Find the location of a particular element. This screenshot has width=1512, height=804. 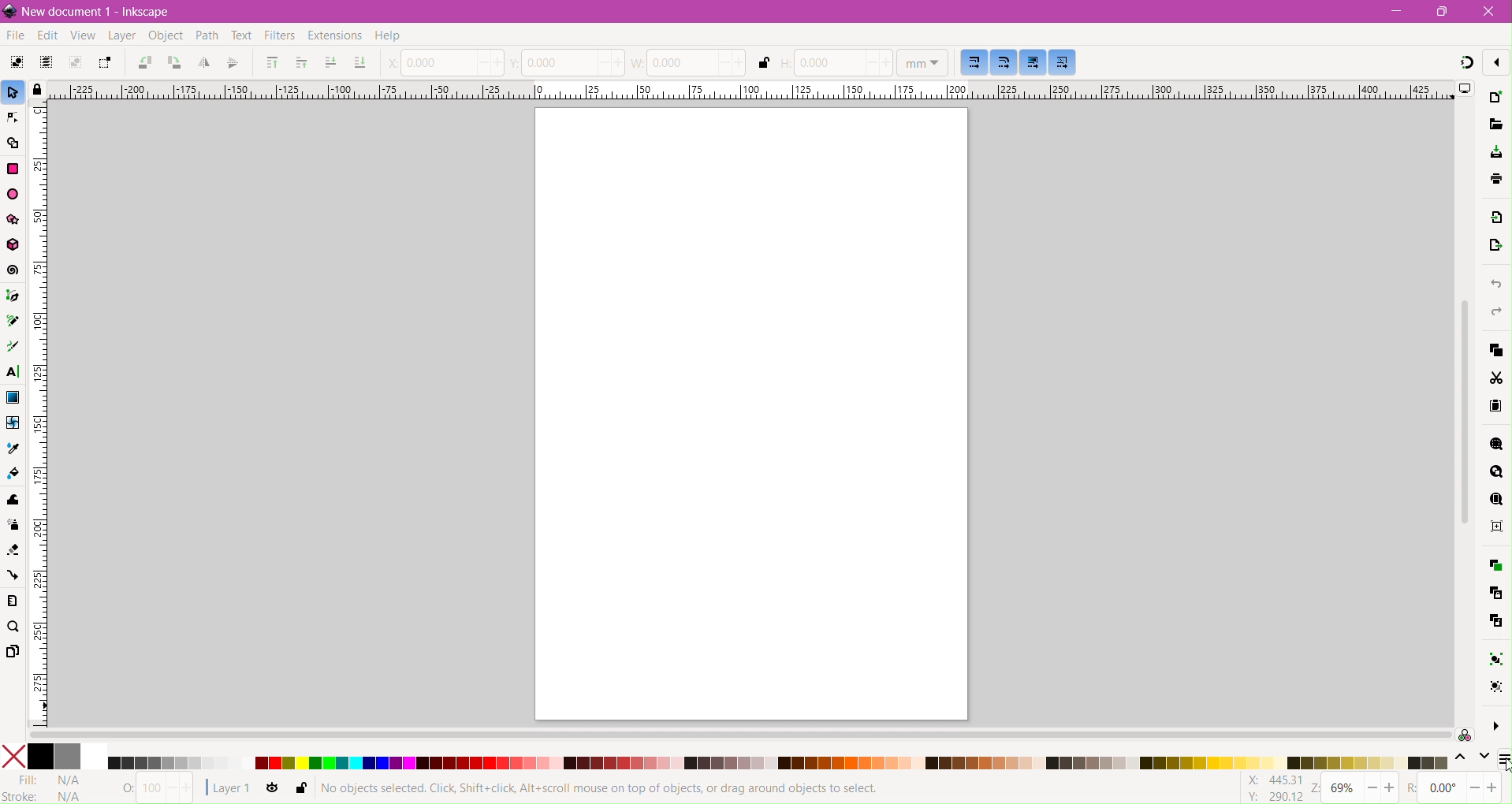

Vertical Scroll Bar is located at coordinates (1461, 411).